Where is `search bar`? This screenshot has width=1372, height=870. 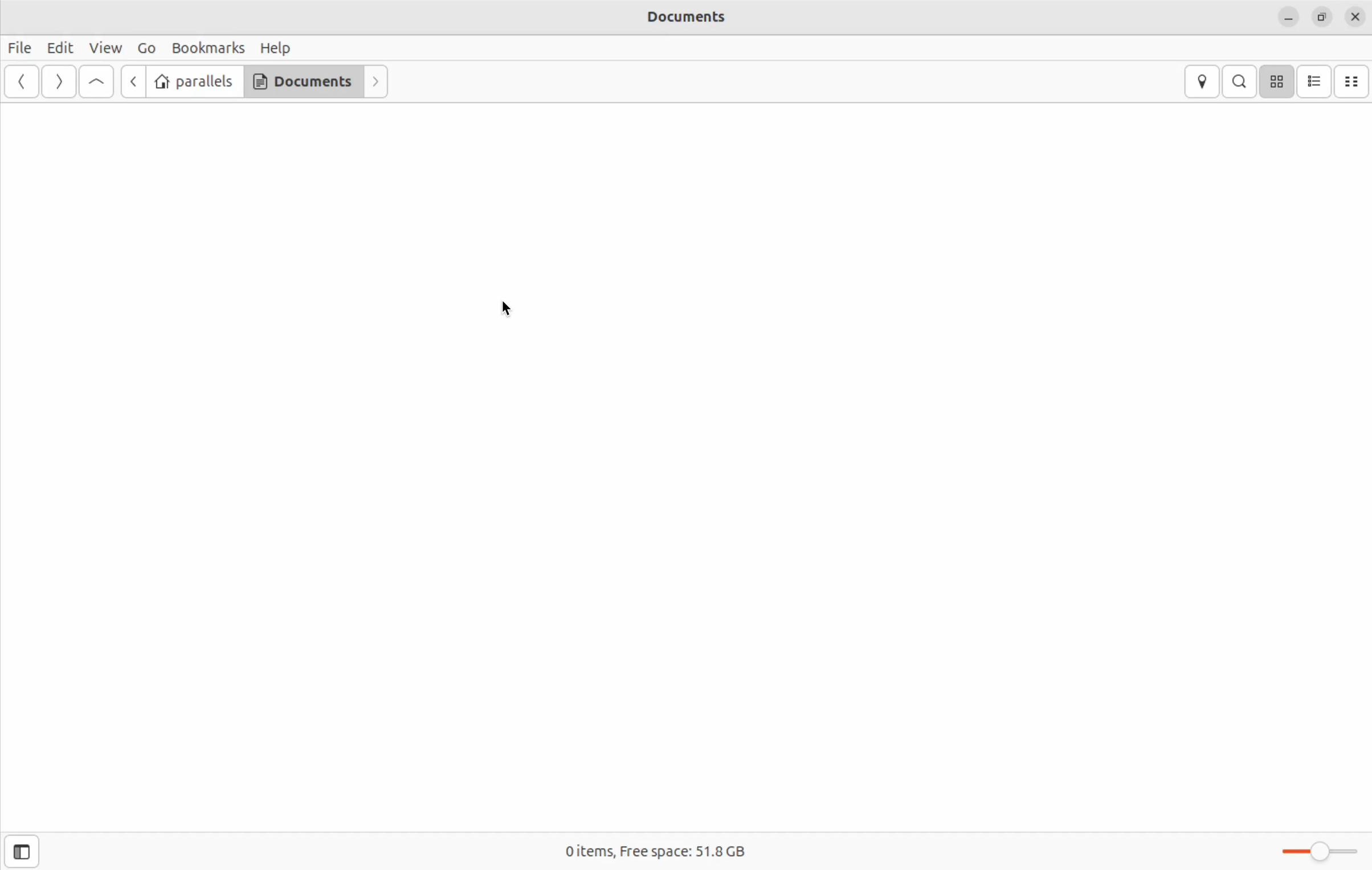 search bar is located at coordinates (1239, 81).